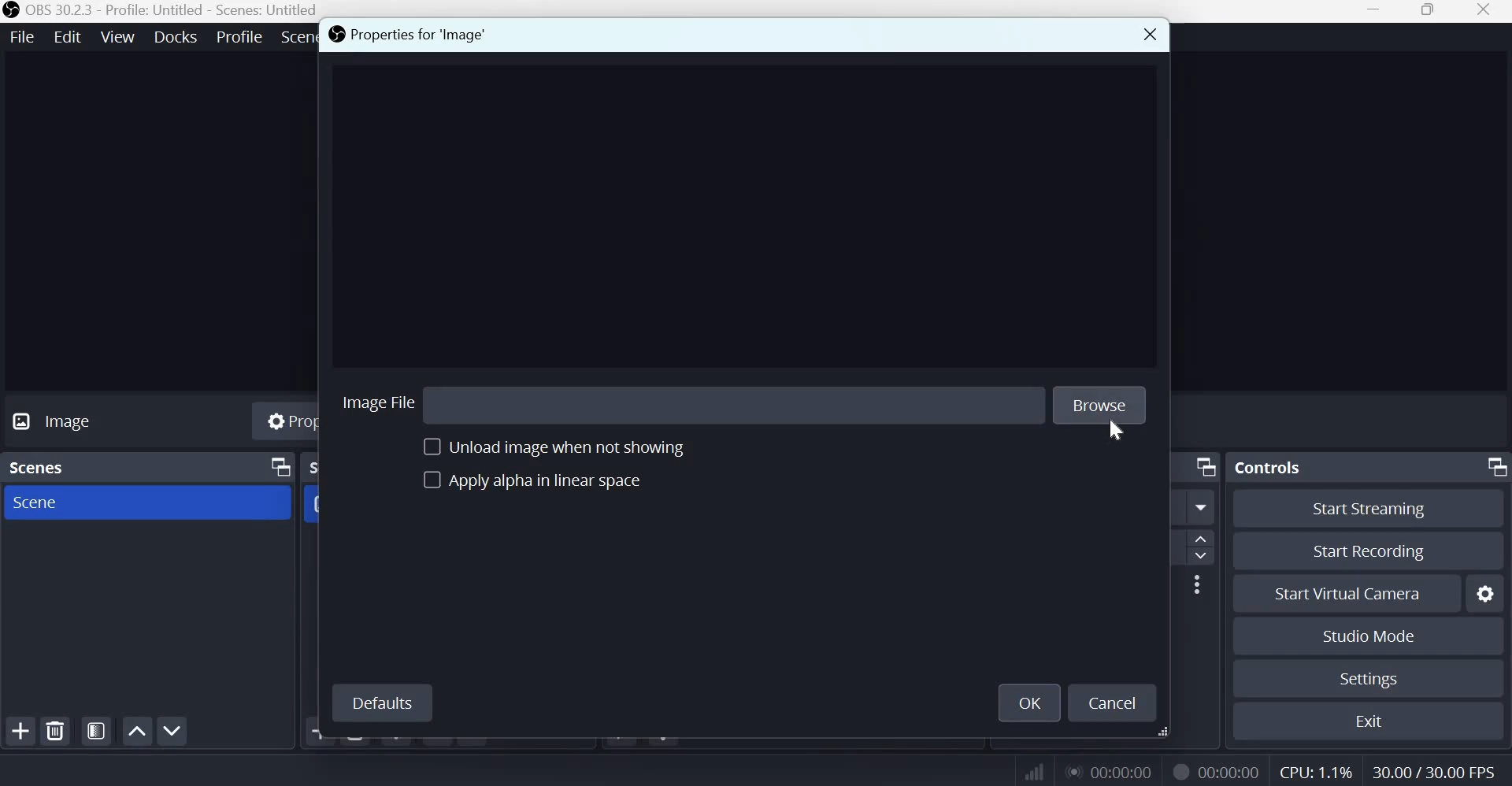 Image resolution: width=1512 pixels, height=786 pixels. Describe the element at coordinates (421, 35) in the screenshot. I see `Properties for 'image'` at that location.